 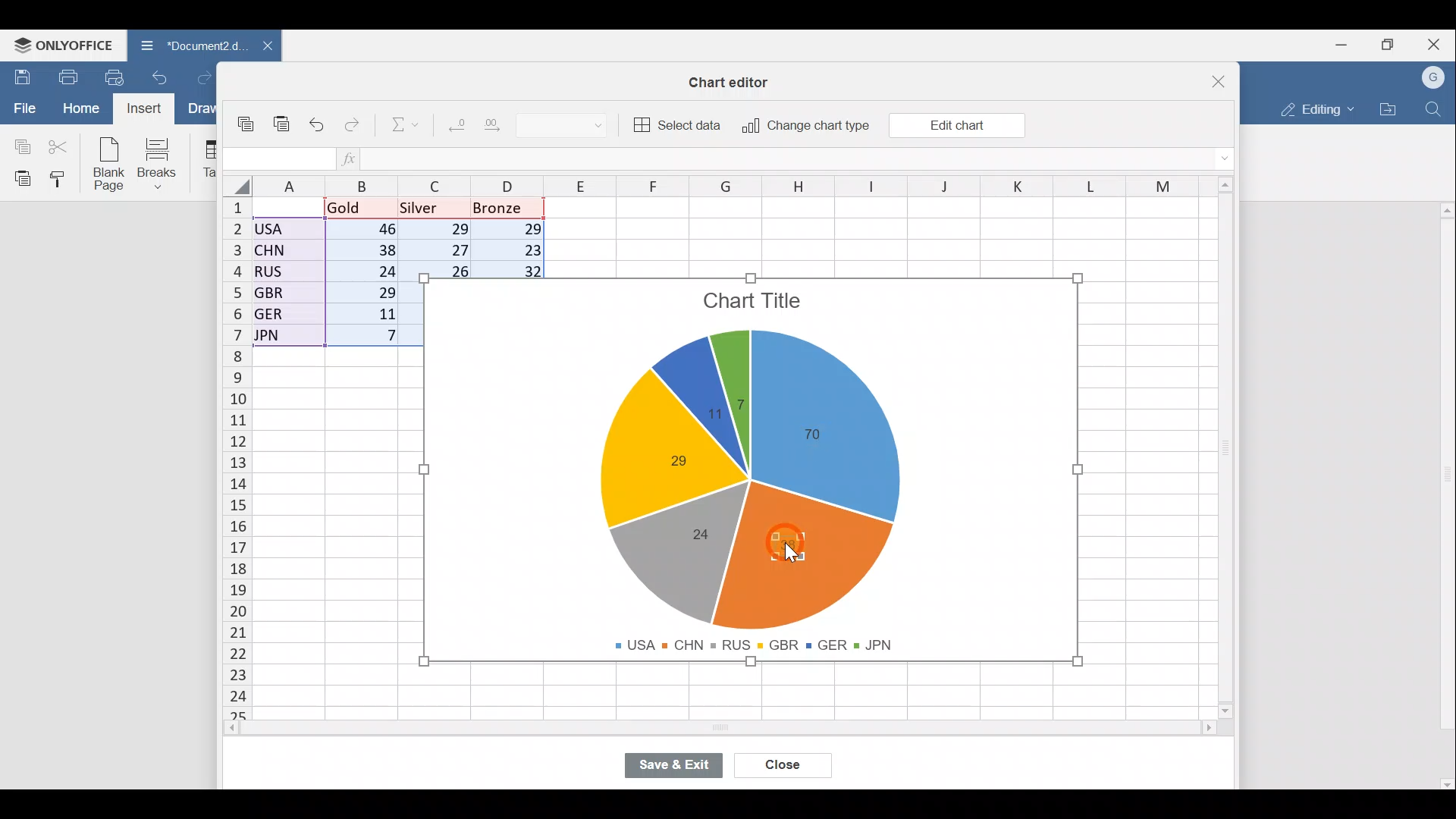 What do you see at coordinates (164, 82) in the screenshot?
I see `Undo` at bounding box center [164, 82].